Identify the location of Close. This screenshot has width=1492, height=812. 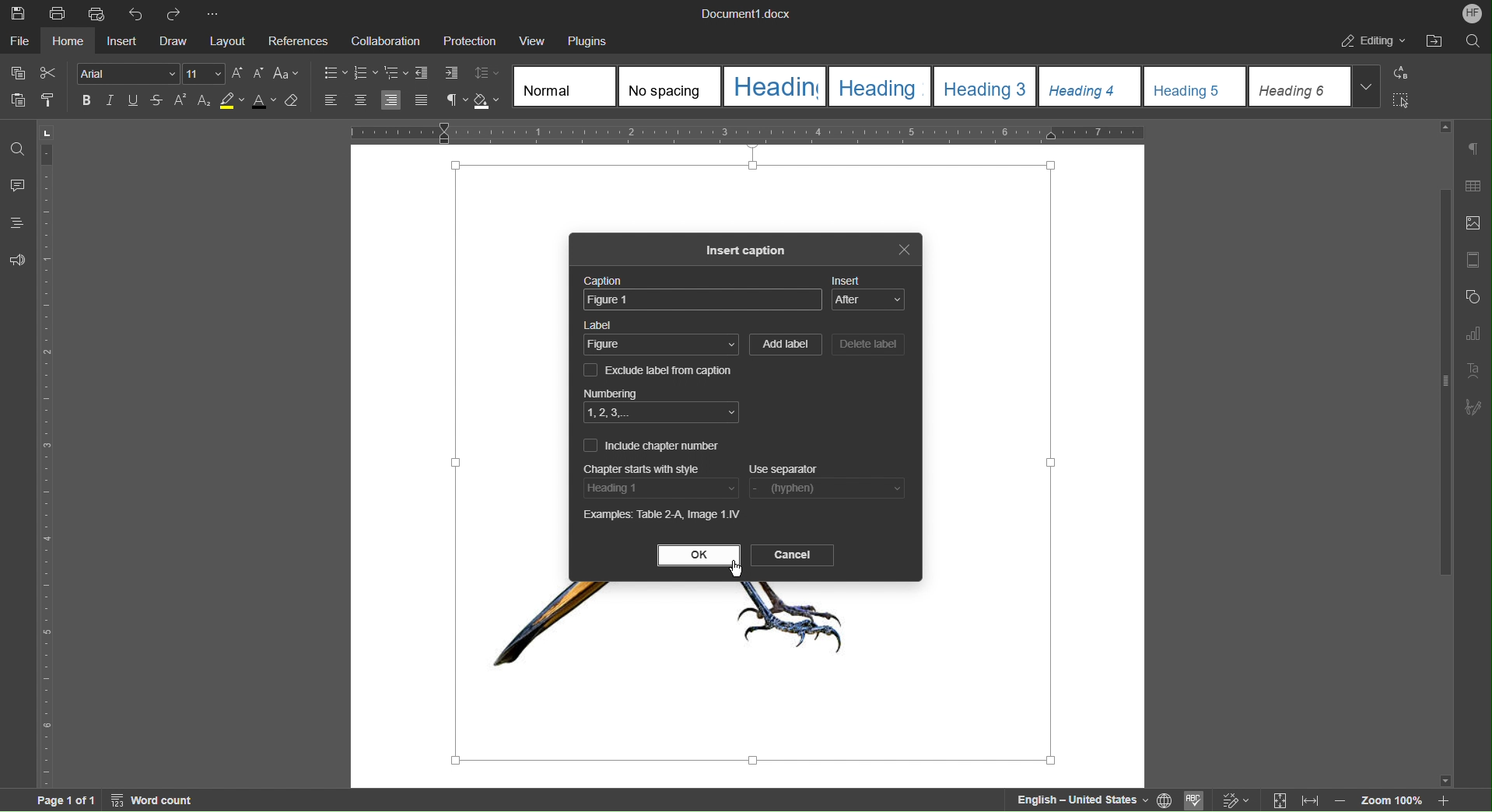
(902, 251).